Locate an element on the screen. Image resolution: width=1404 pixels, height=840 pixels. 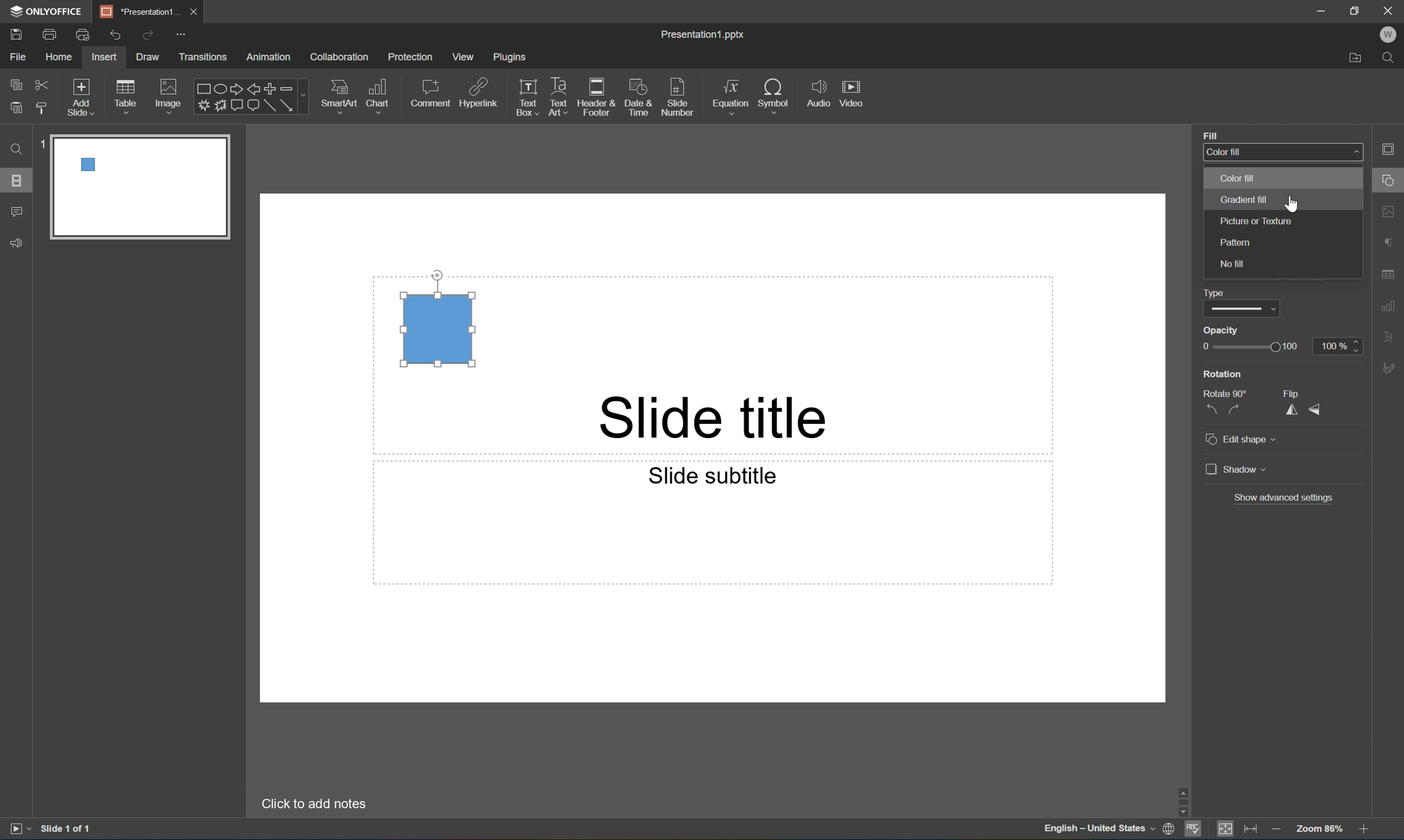
 is located at coordinates (220, 105).